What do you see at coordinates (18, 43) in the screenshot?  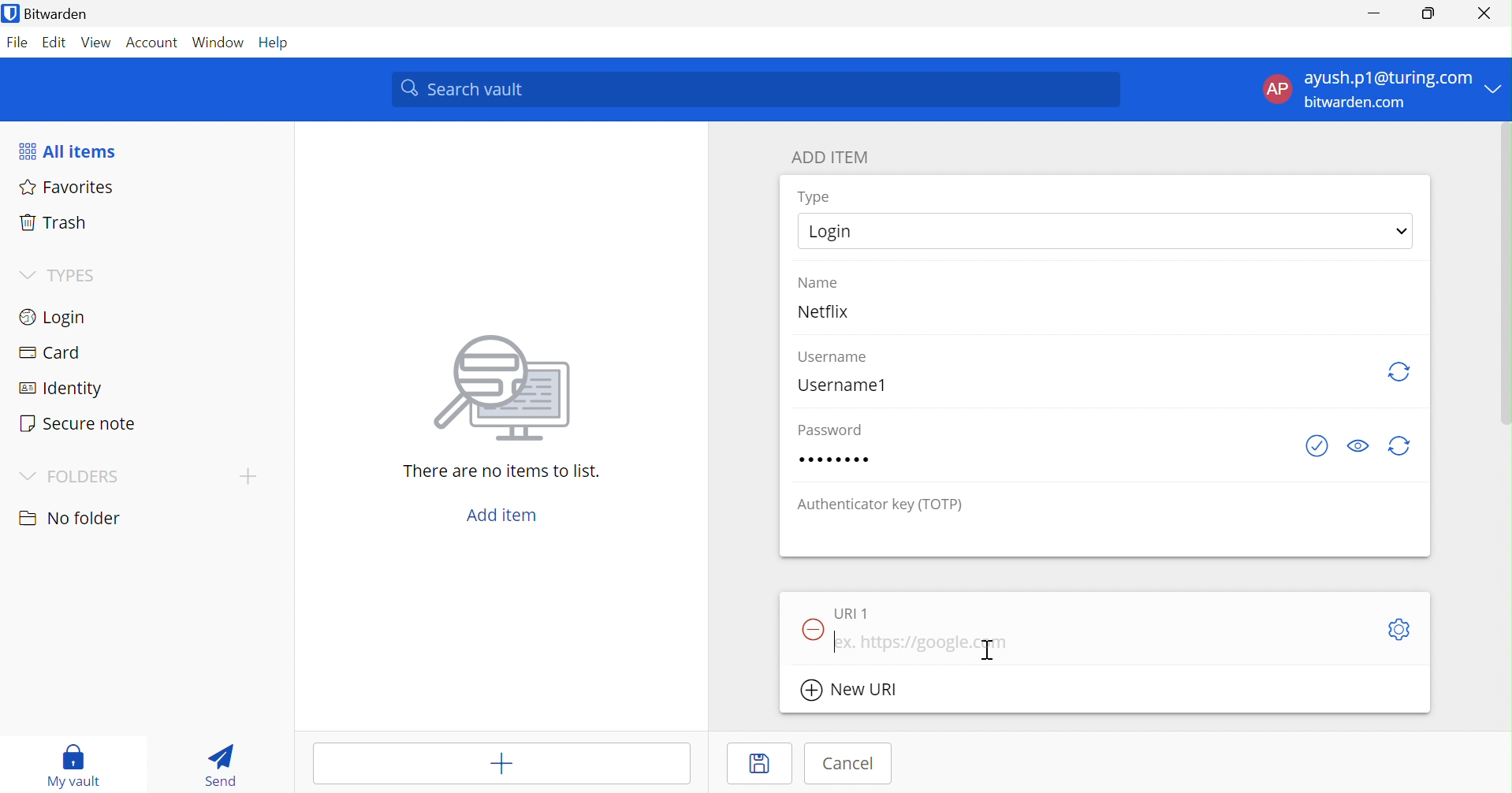 I see `File` at bounding box center [18, 43].